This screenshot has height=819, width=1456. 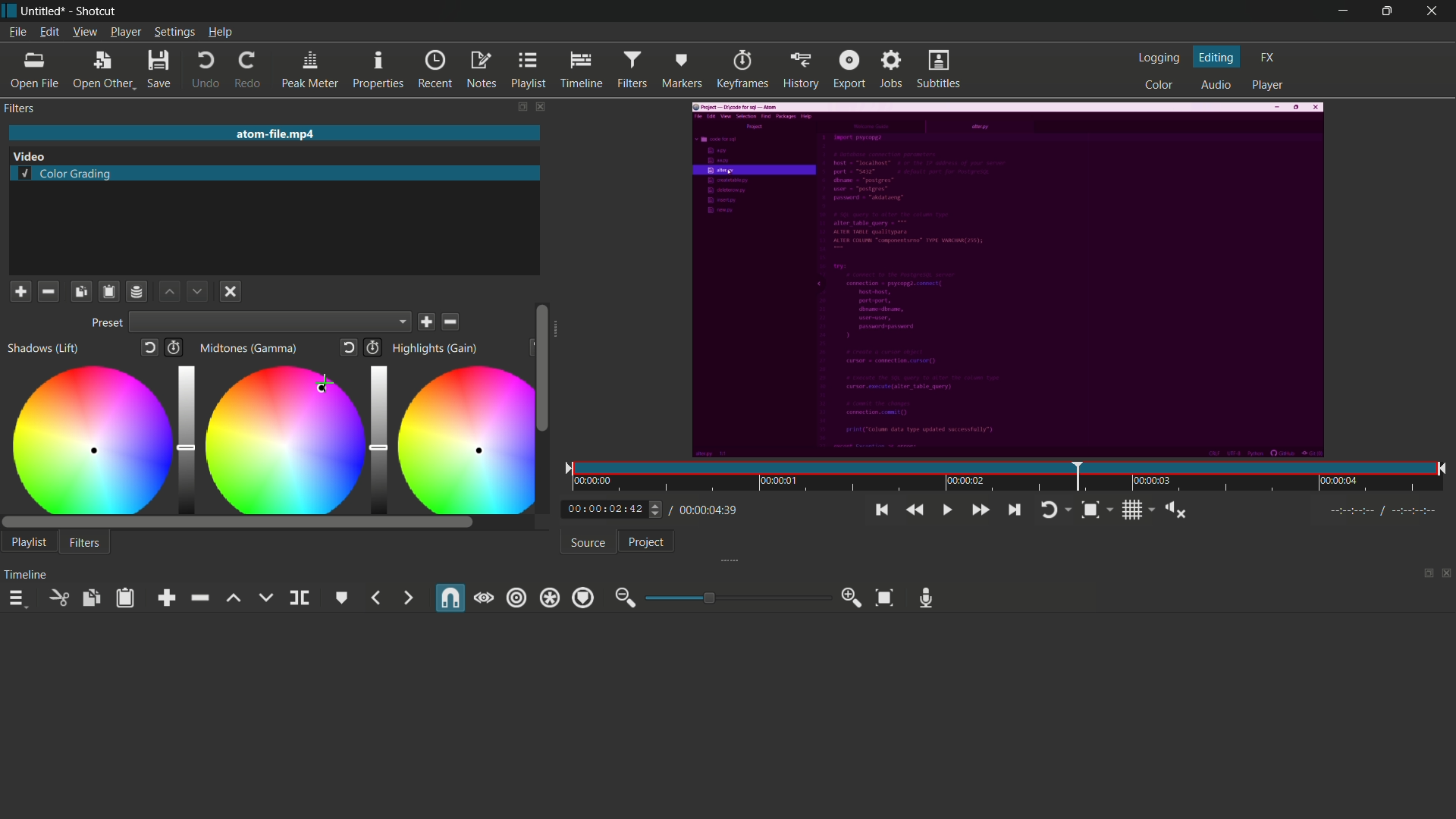 I want to click on fx, so click(x=1269, y=56).